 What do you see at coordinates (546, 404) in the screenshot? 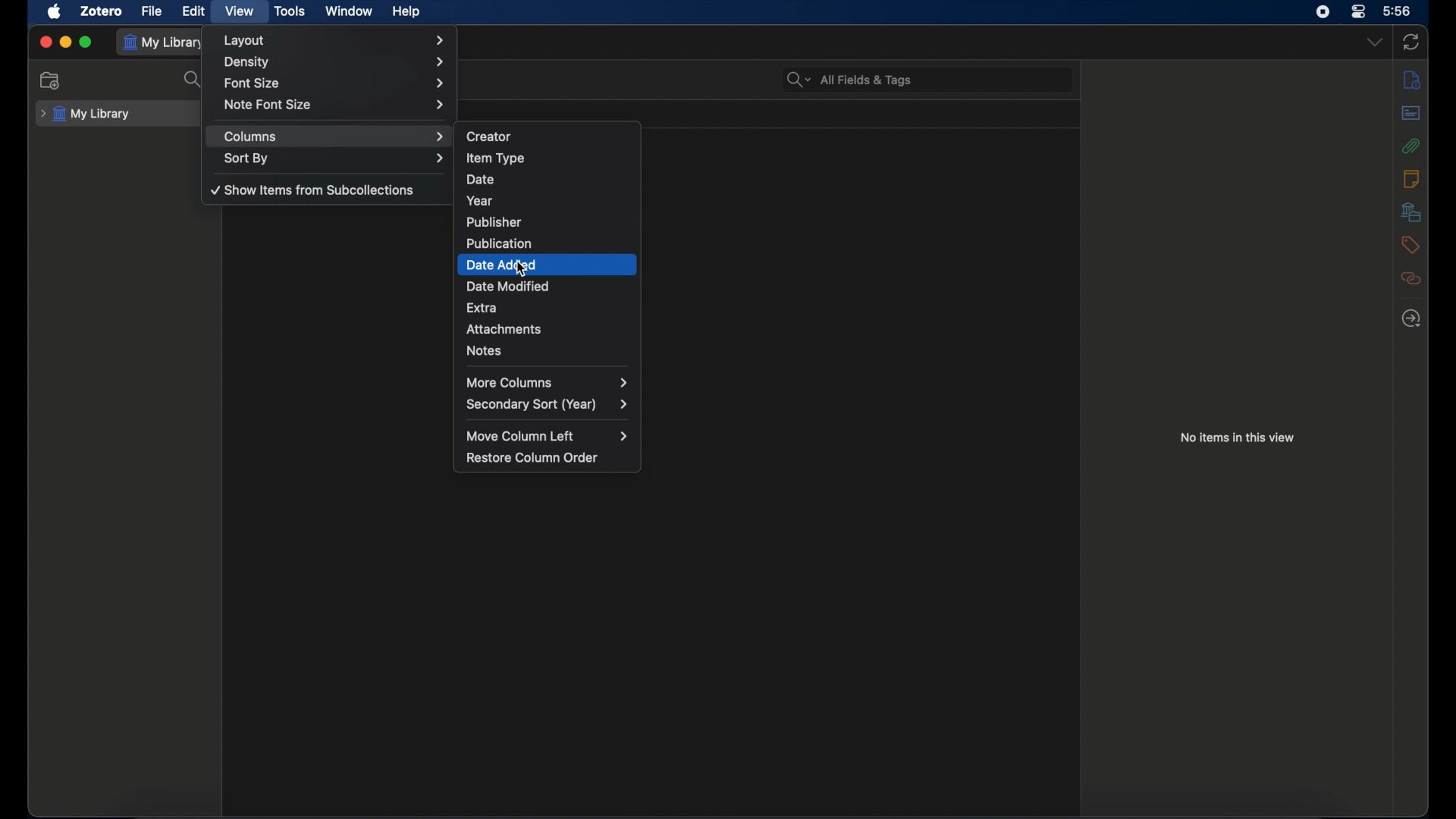
I see `secondary sort` at bounding box center [546, 404].